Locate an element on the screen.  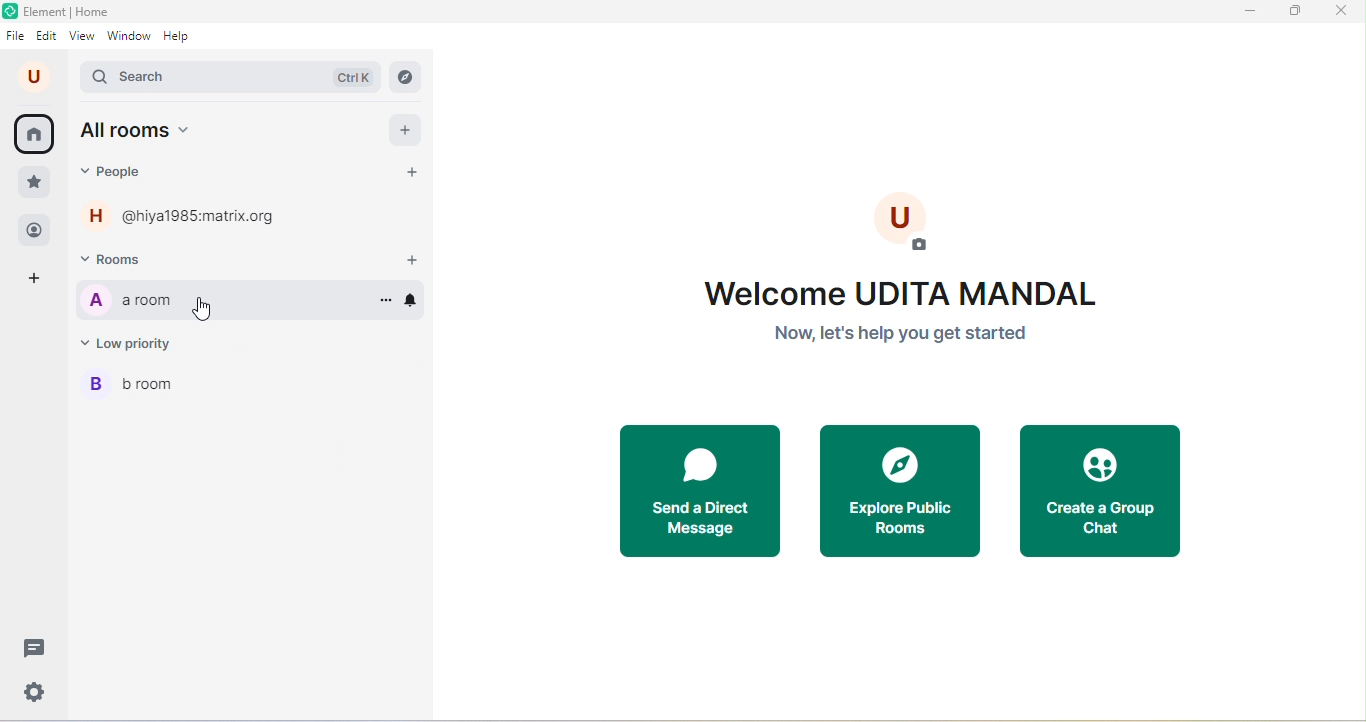
window is located at coordinates (128, 37).